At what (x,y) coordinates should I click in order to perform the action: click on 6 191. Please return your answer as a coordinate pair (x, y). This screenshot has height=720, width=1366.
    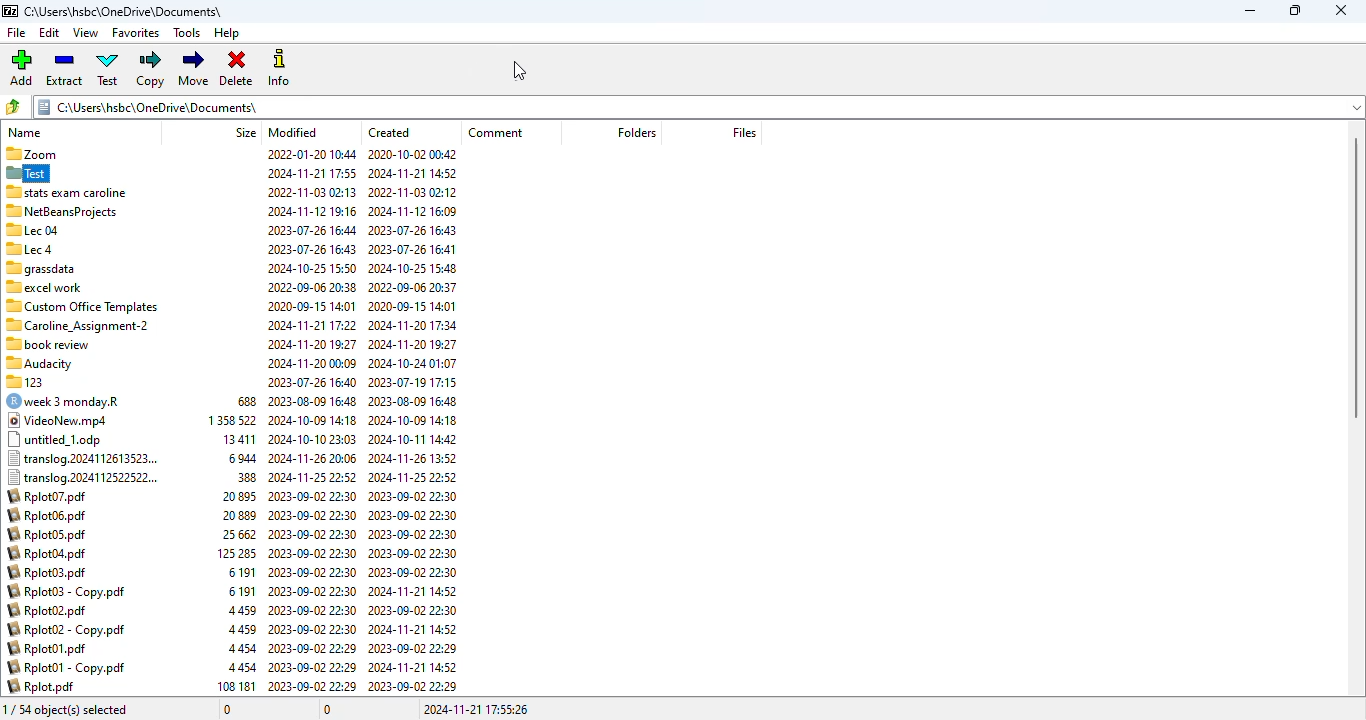
    Looking at the image, I should click on (242, 590).